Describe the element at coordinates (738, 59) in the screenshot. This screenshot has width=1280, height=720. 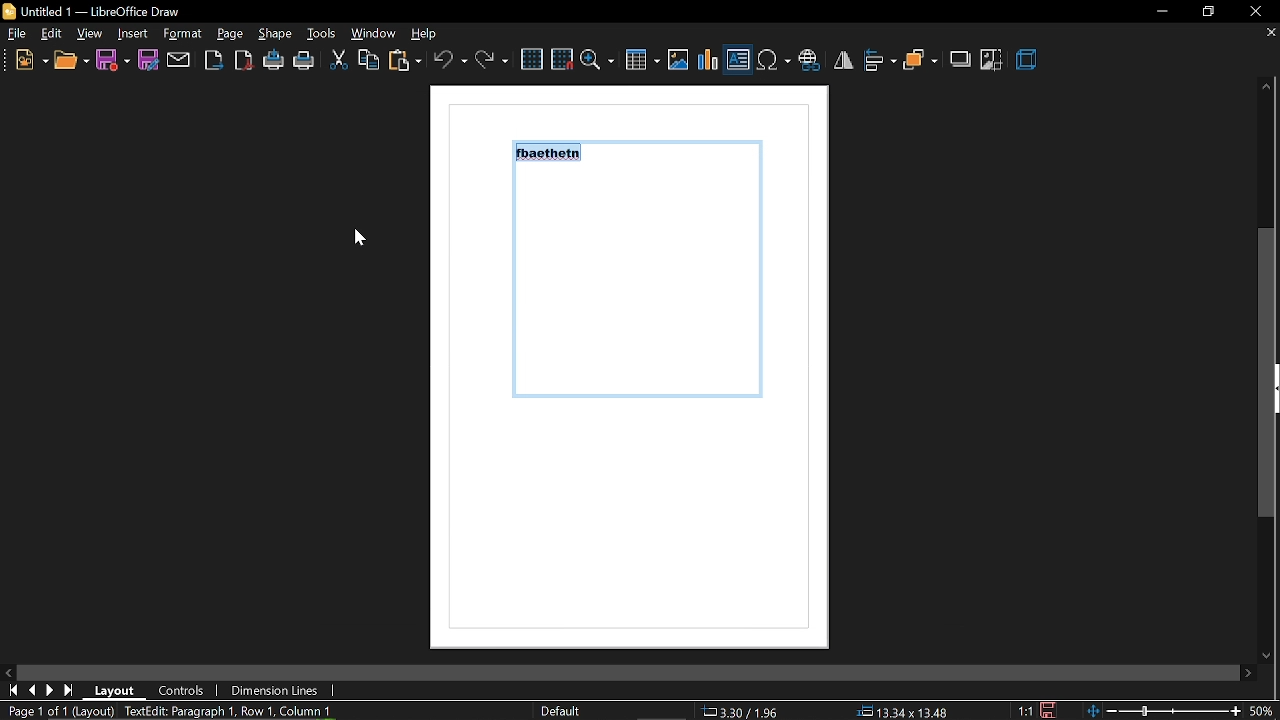
I see `Insert text` at that location.